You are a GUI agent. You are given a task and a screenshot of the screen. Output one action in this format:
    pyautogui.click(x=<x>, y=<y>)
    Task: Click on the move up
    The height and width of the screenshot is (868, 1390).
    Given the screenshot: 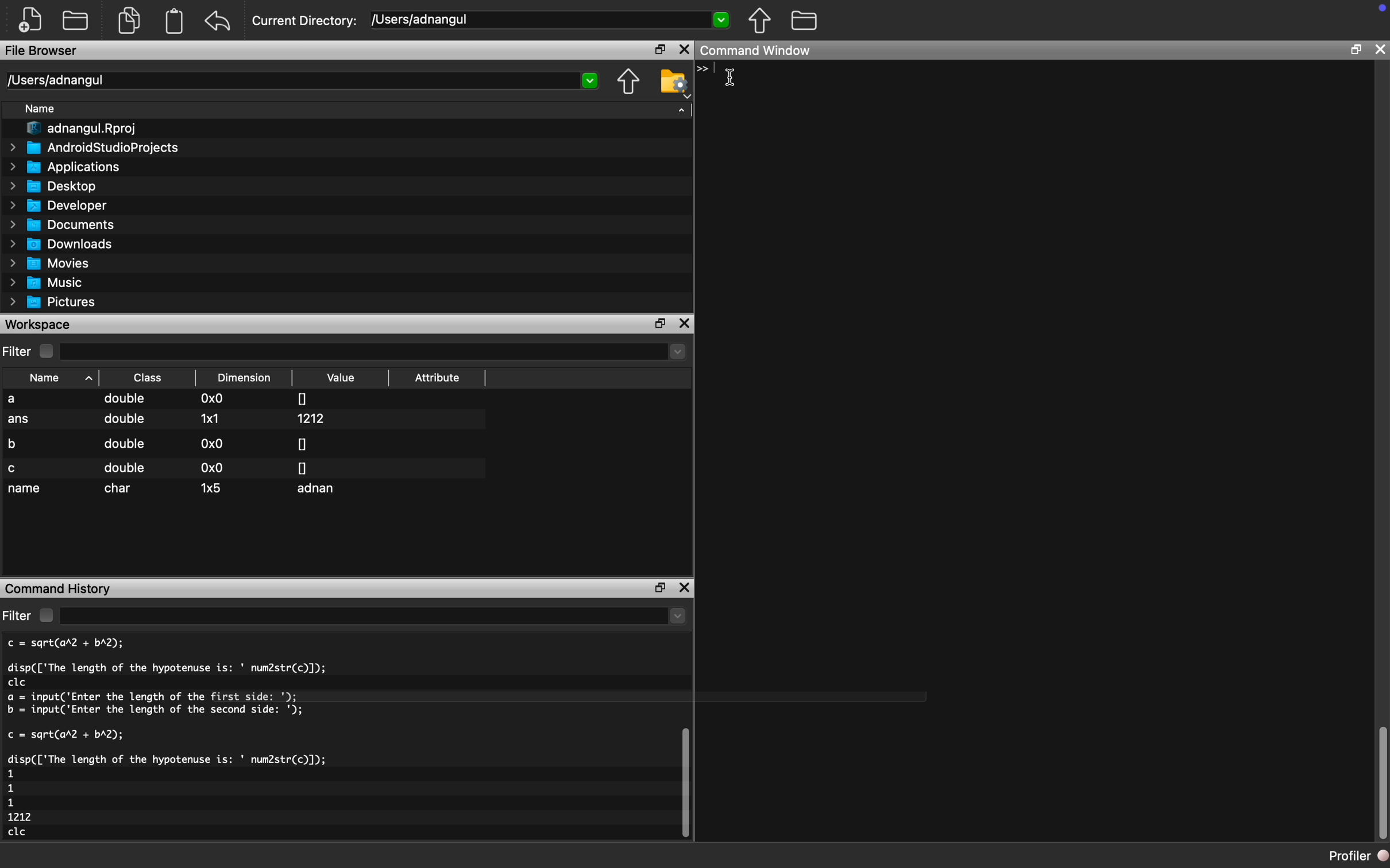 What is the action you would take?
    pyautogui.click(x=759, y=20)
    